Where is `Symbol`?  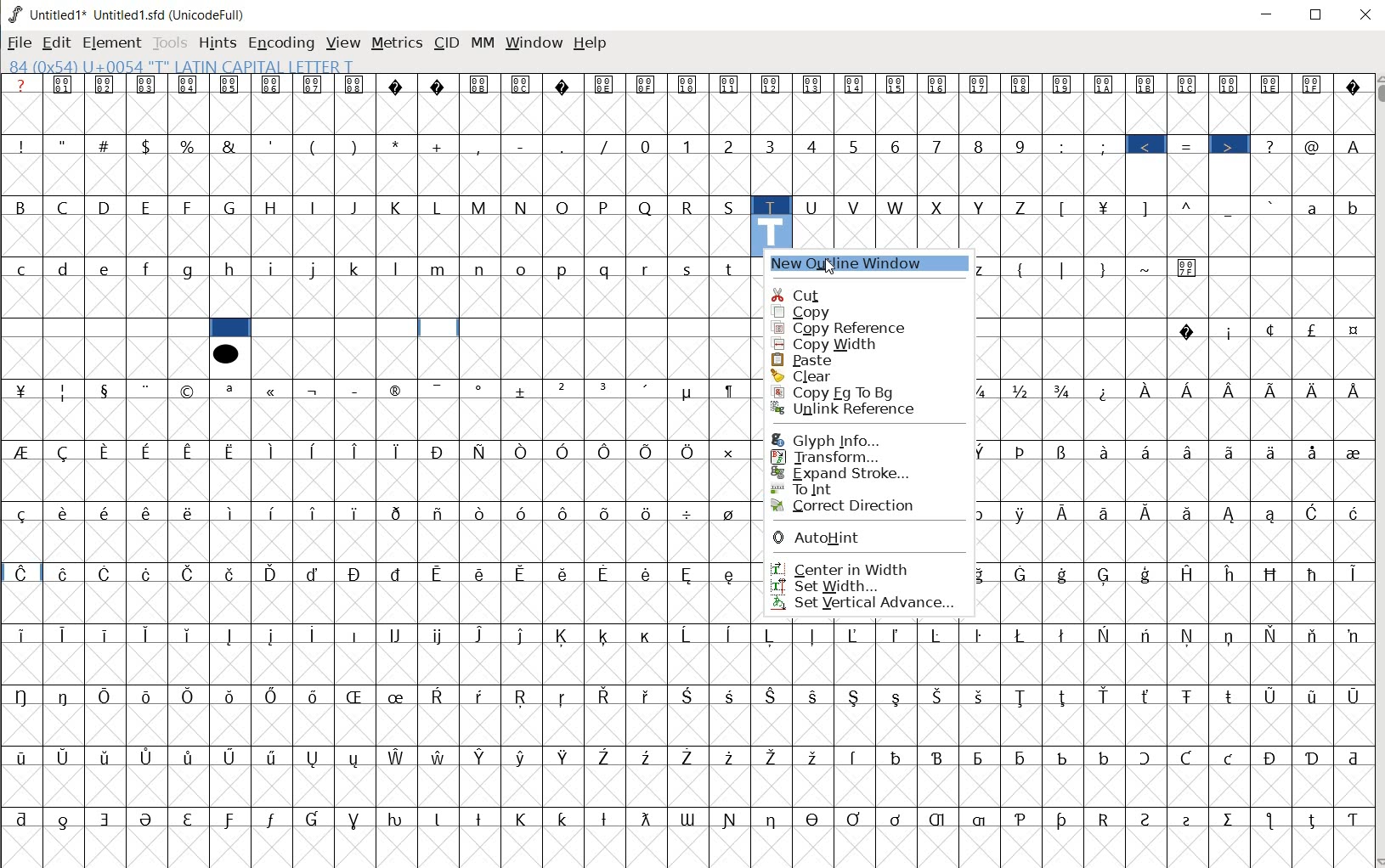 Symbol is located at coordinates (1105, 86).